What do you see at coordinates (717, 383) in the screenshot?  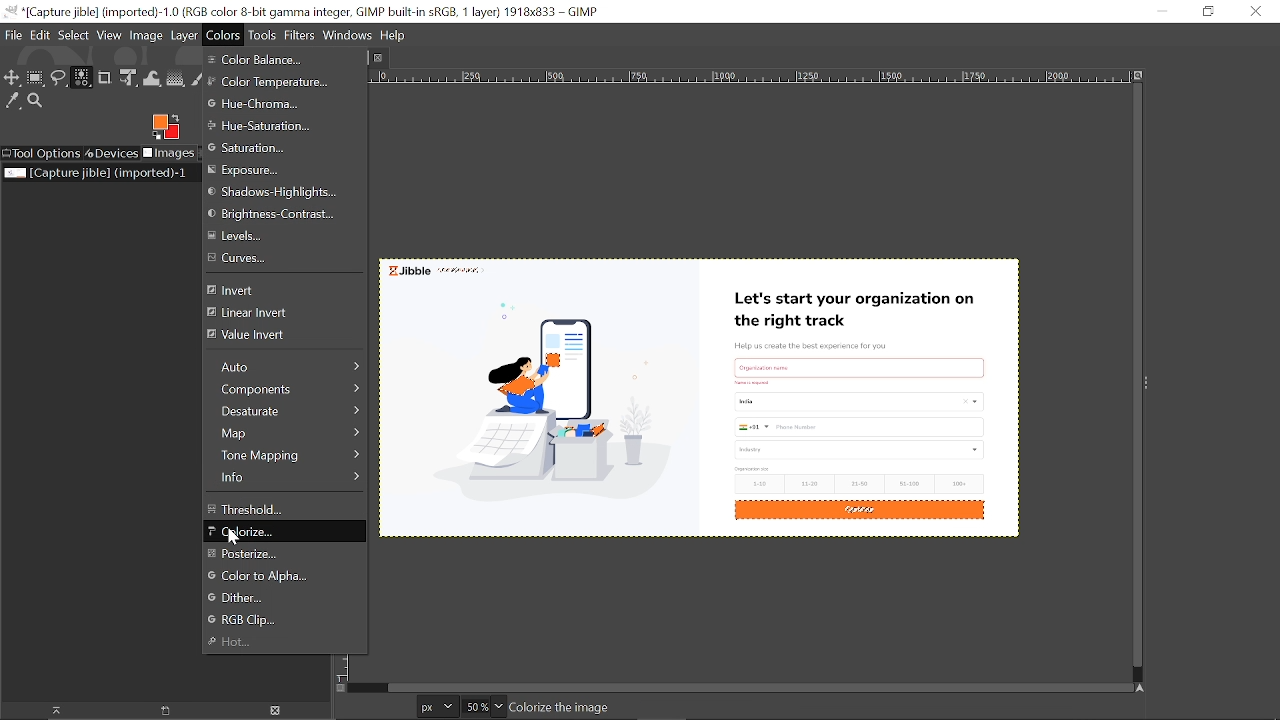 I see `Current image` at bounding box center [717, 383].